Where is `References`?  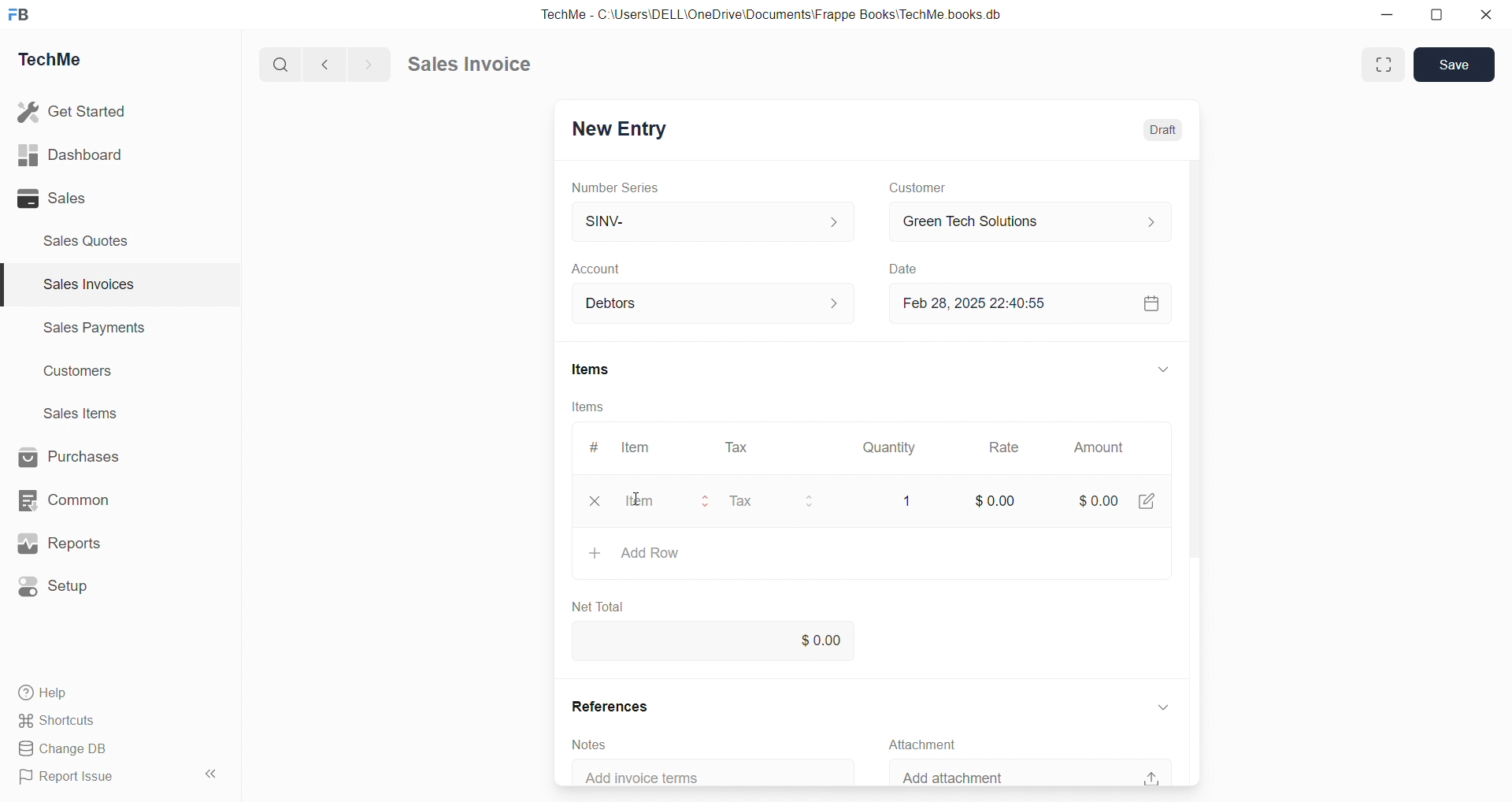
References is located at coordinates (612, 706).